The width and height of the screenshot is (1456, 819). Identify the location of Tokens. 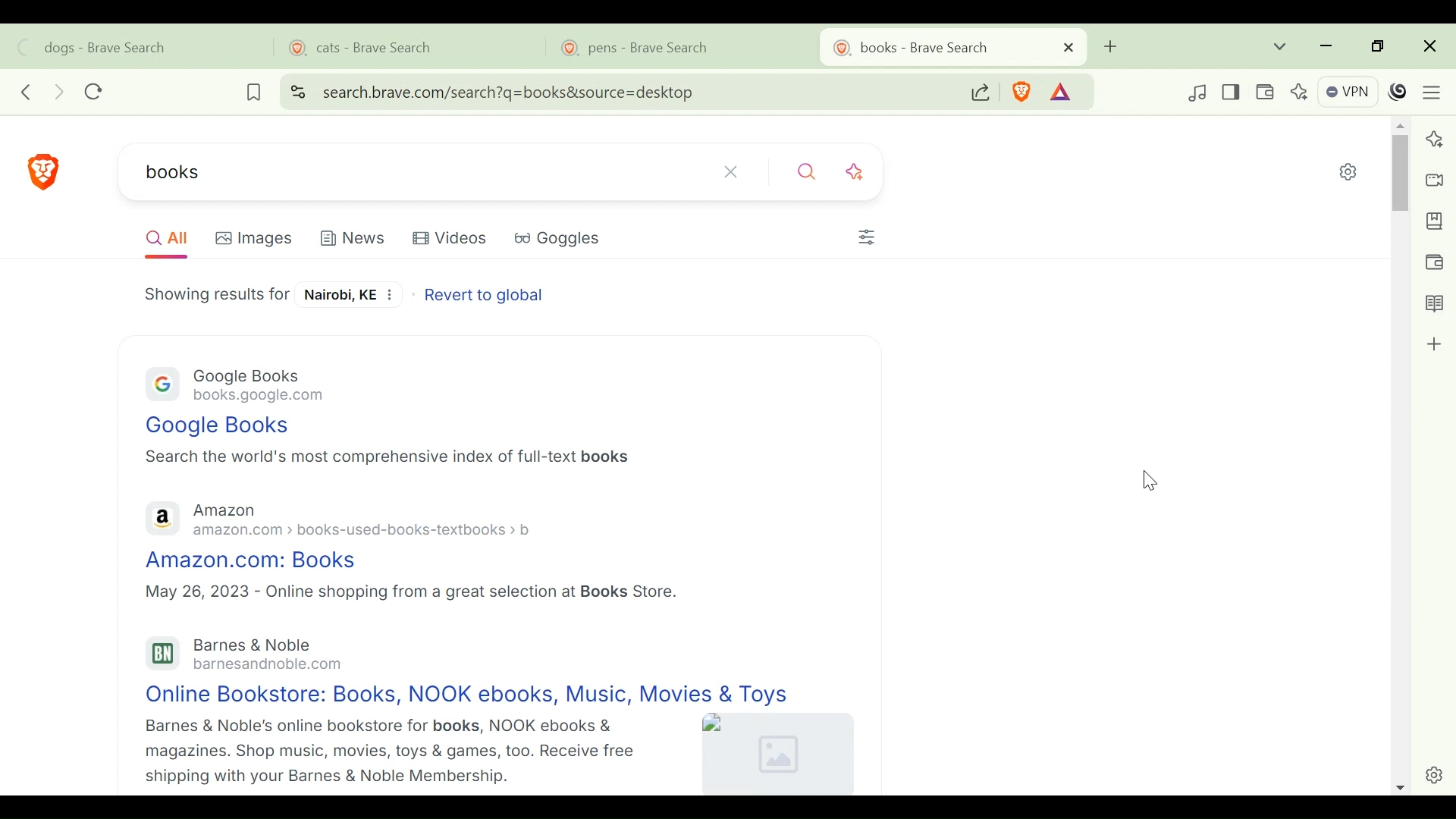
(1065, 91).